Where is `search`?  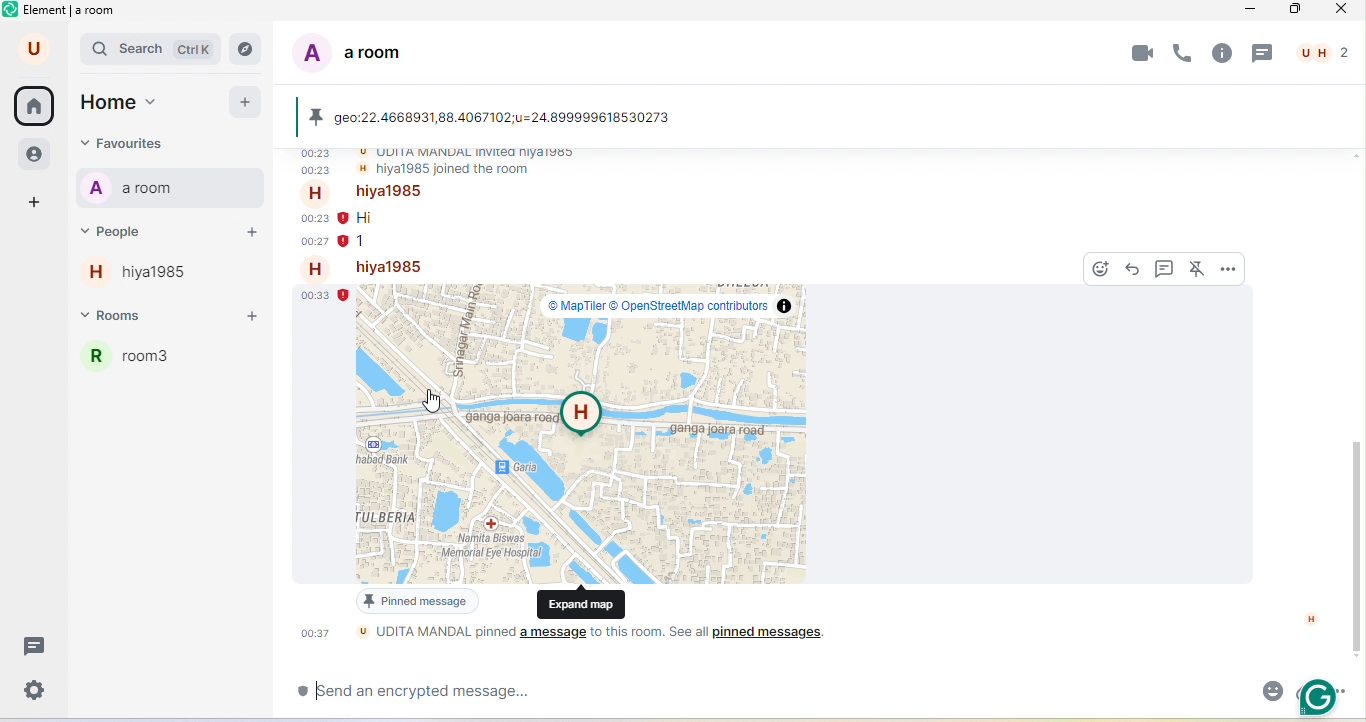 search is located at coordinates (152, 51).